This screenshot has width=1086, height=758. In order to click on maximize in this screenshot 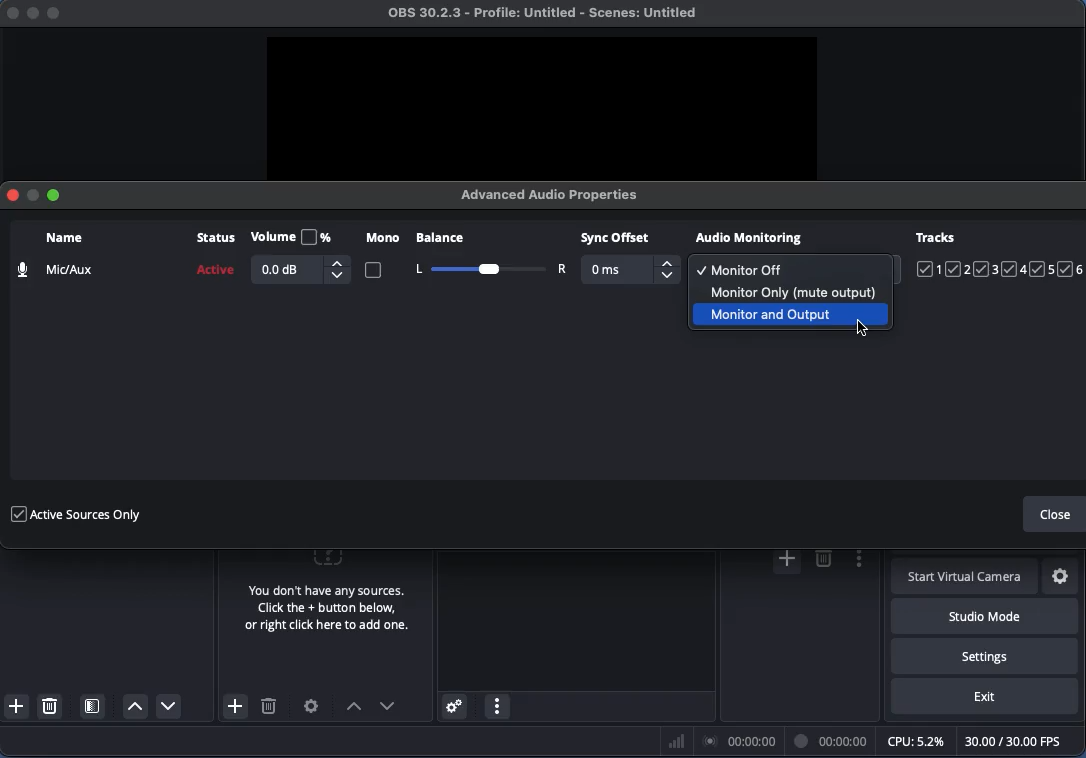, I will do `click(61, 12)`.